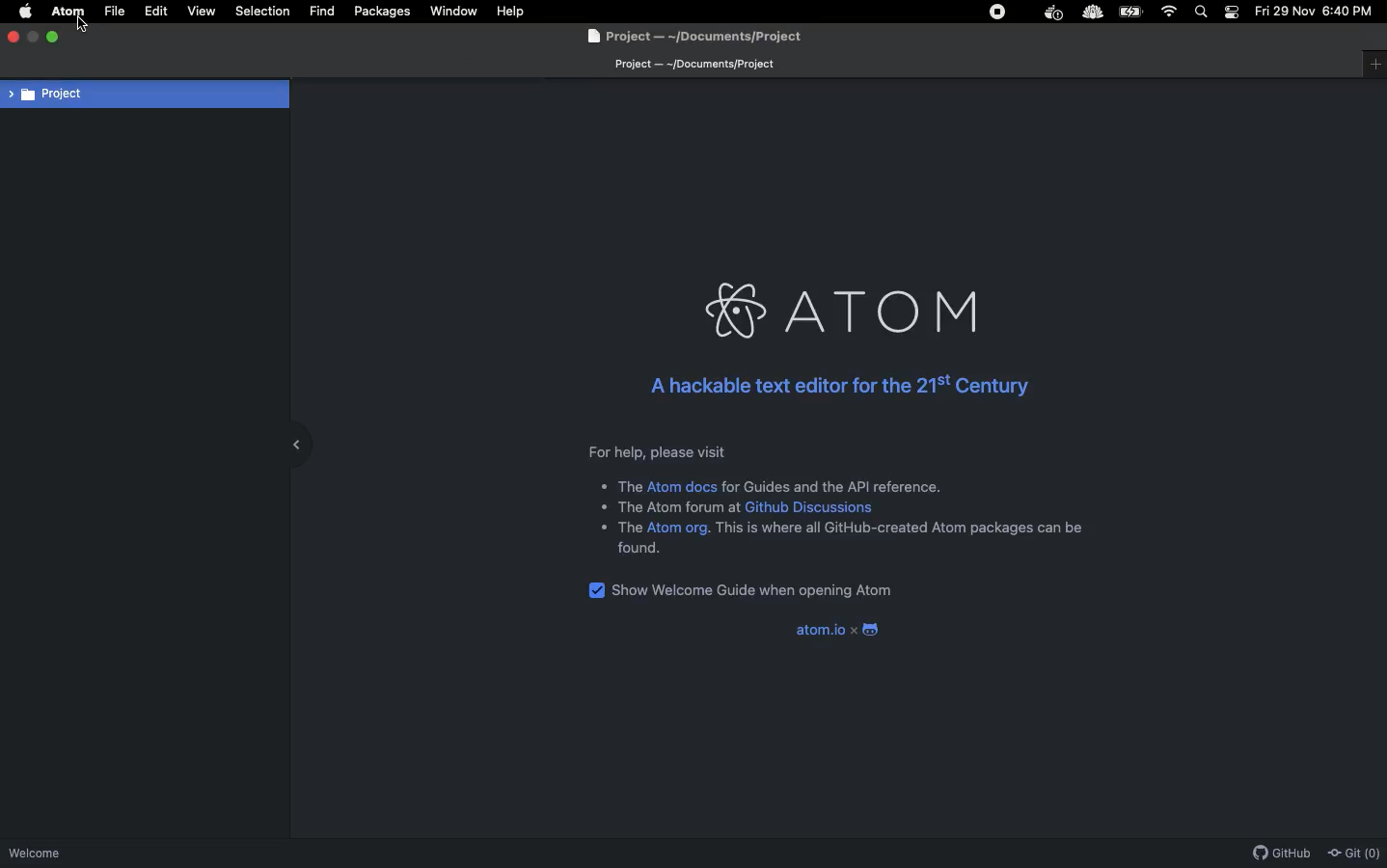  Describe the element at coordinates (679, 529) in the screenshot. I see `Atom.org` at that location.